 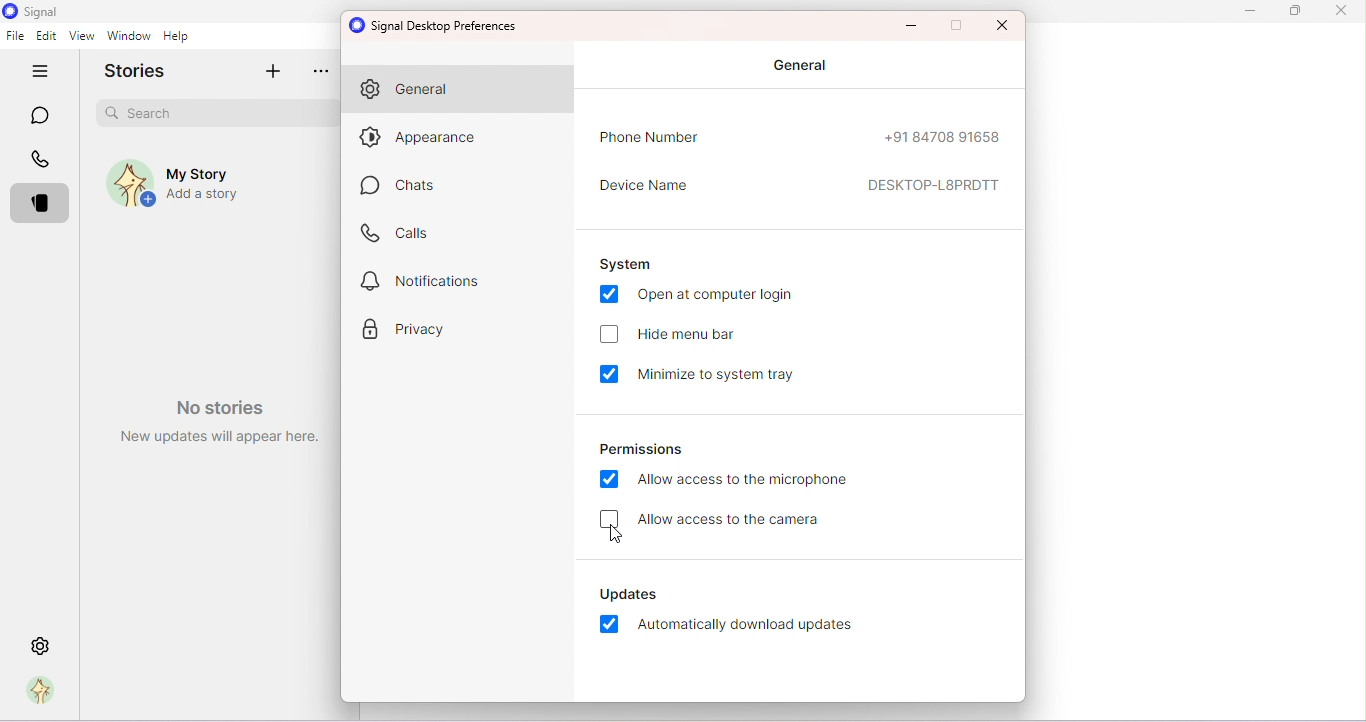 I want to click on Device name, so click(x=800, y=186).